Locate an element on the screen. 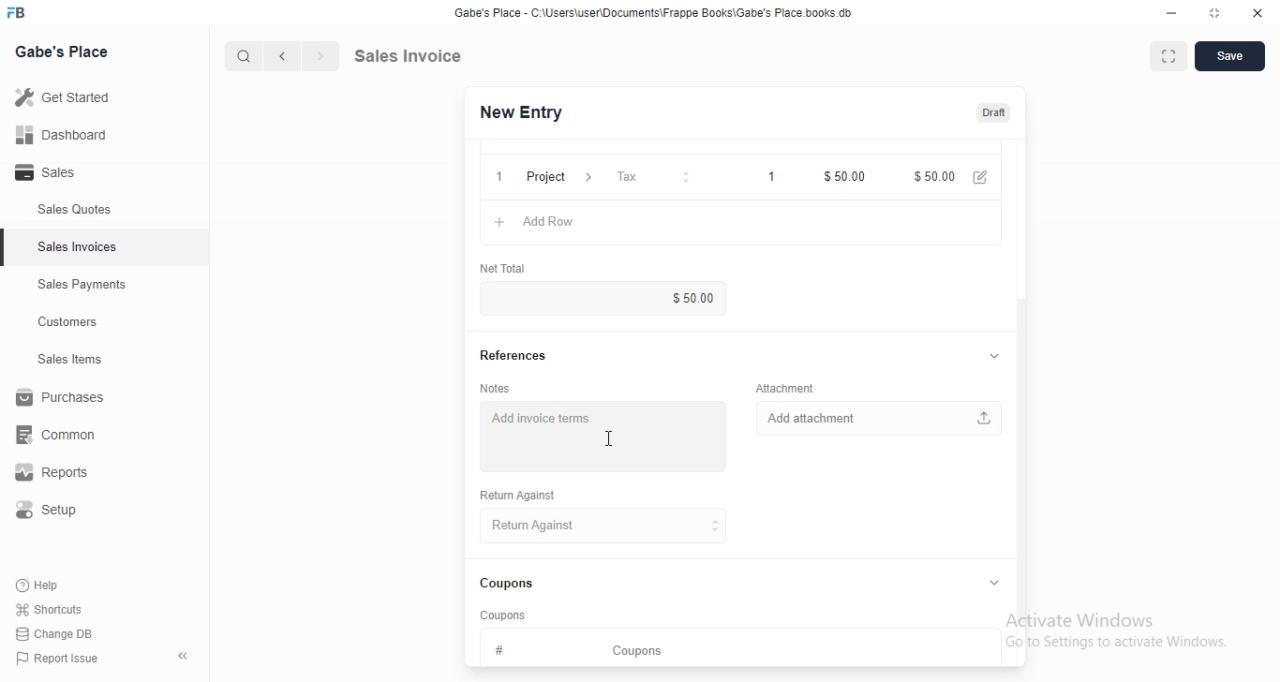 The height and width of the screenshot is (682, 1280). cursor is located at coordinates (611, 439).